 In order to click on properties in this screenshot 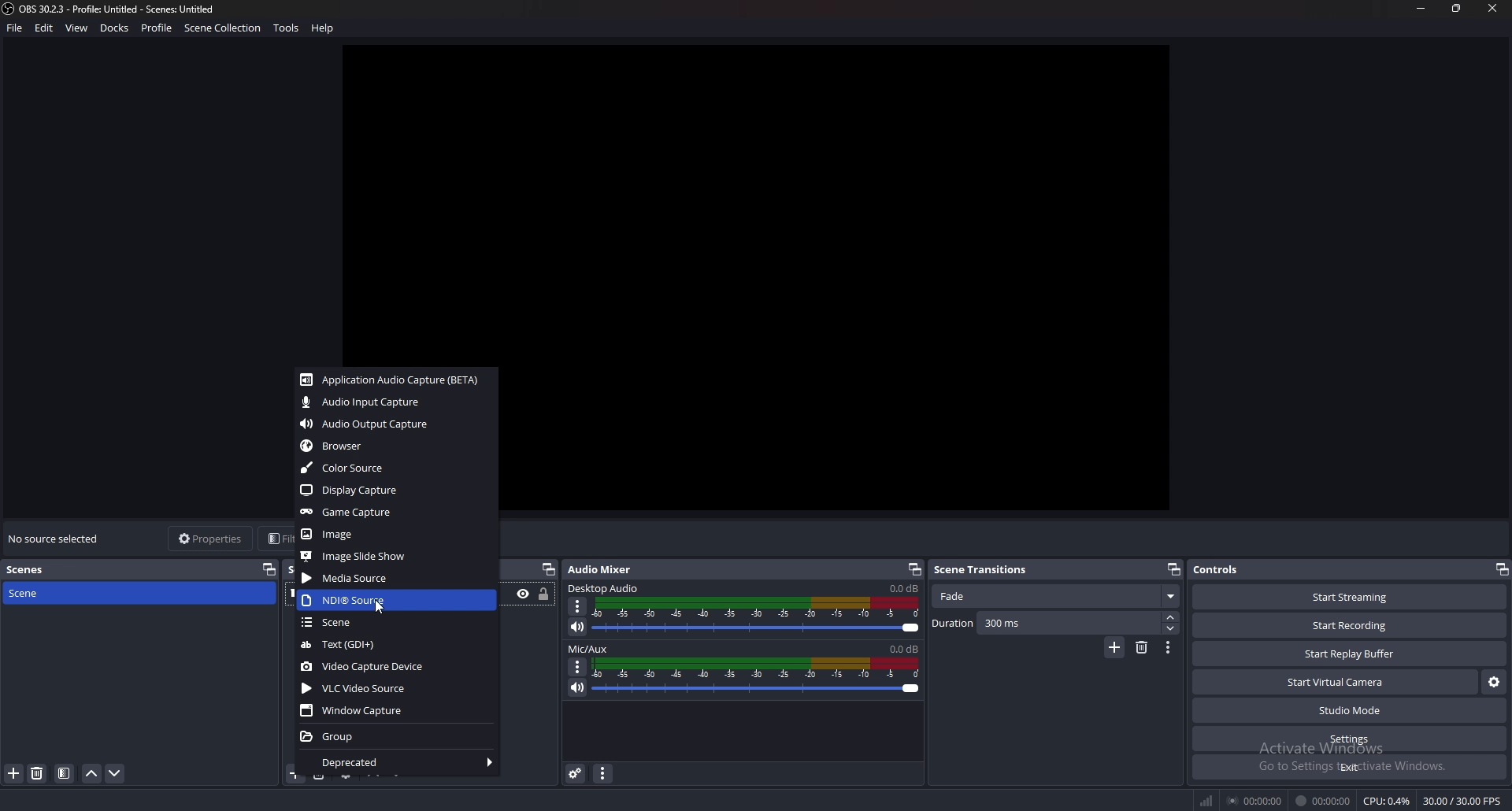, I will do `click(211, 538)`.